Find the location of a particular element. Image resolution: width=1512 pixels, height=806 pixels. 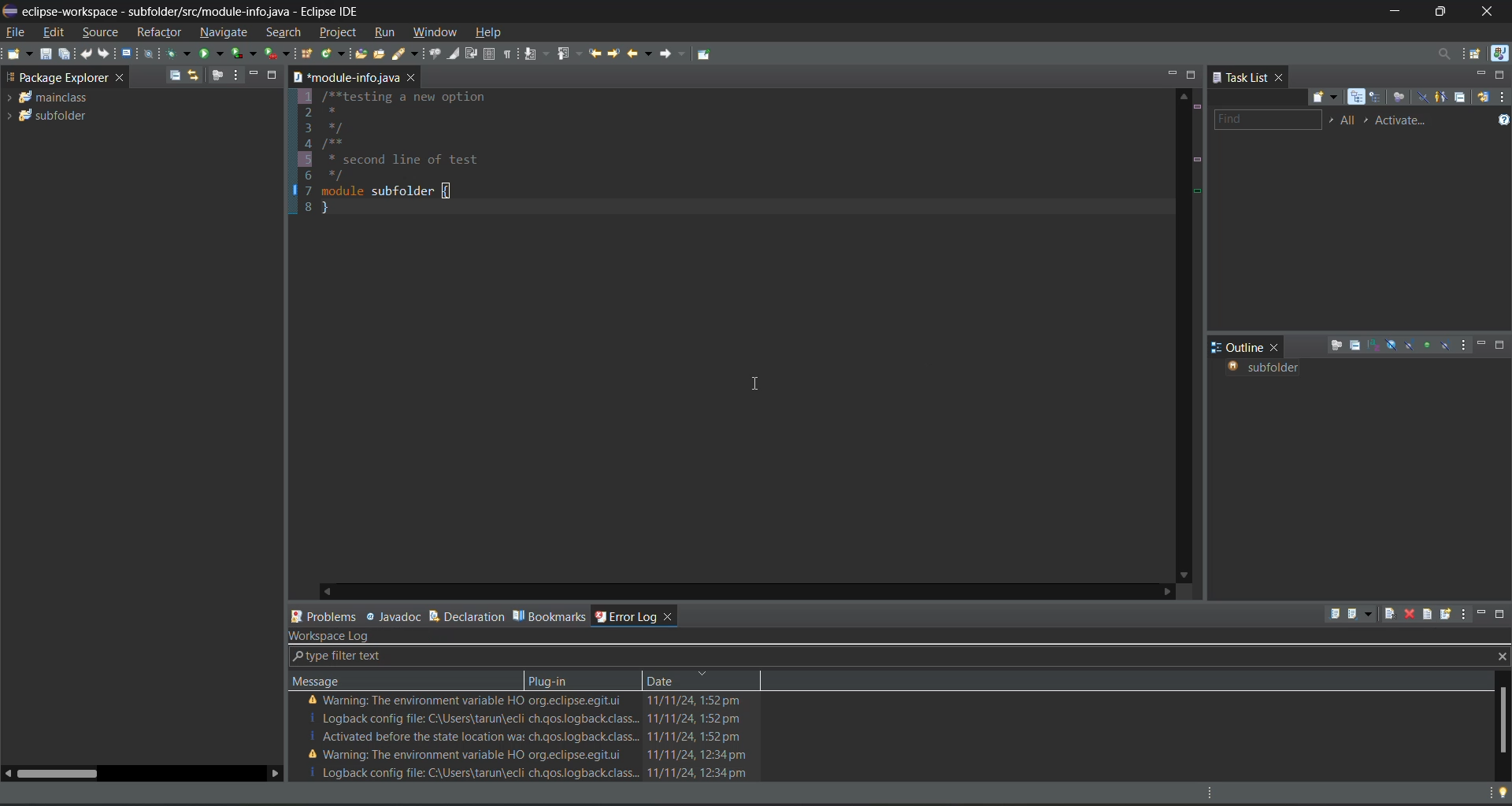

close is located at coordinates (1493, 12).